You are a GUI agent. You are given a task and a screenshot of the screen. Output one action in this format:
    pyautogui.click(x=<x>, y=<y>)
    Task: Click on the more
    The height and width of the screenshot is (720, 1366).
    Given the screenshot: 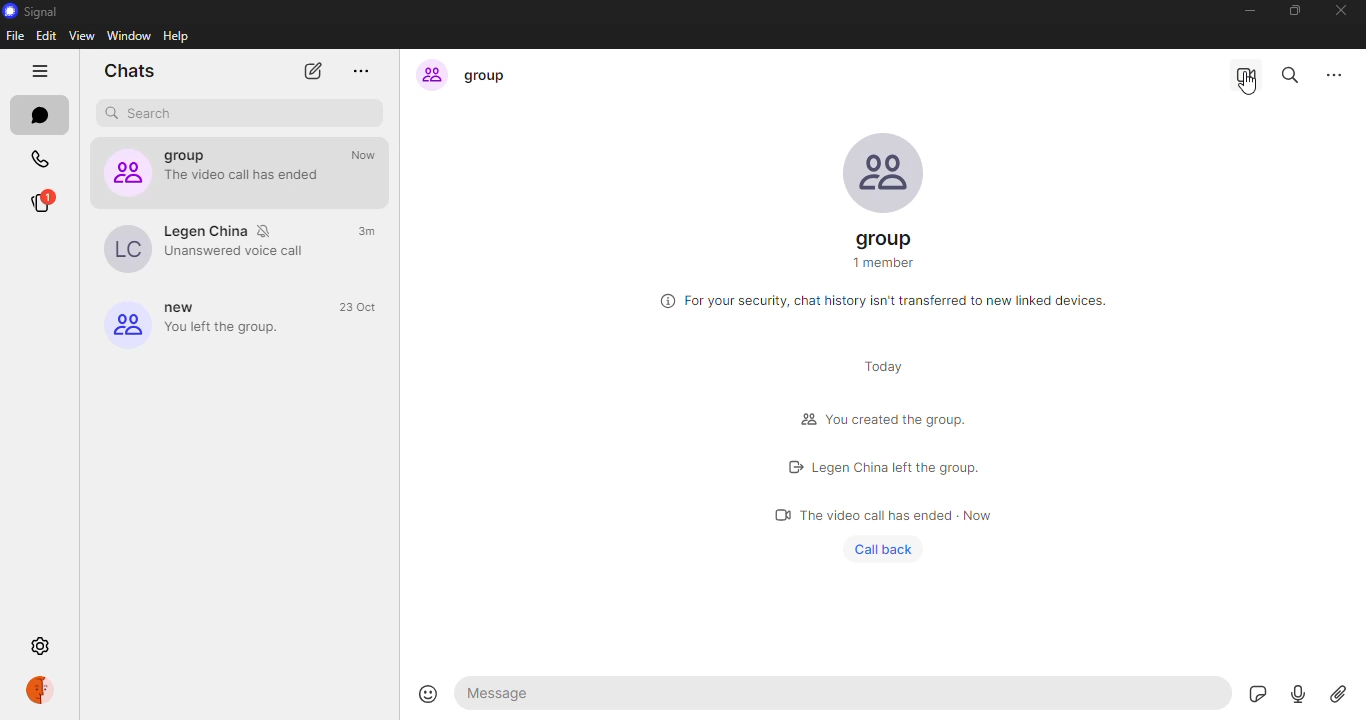 What is the action you would take?
    pyautogui.click(x=1334, y=72)
    